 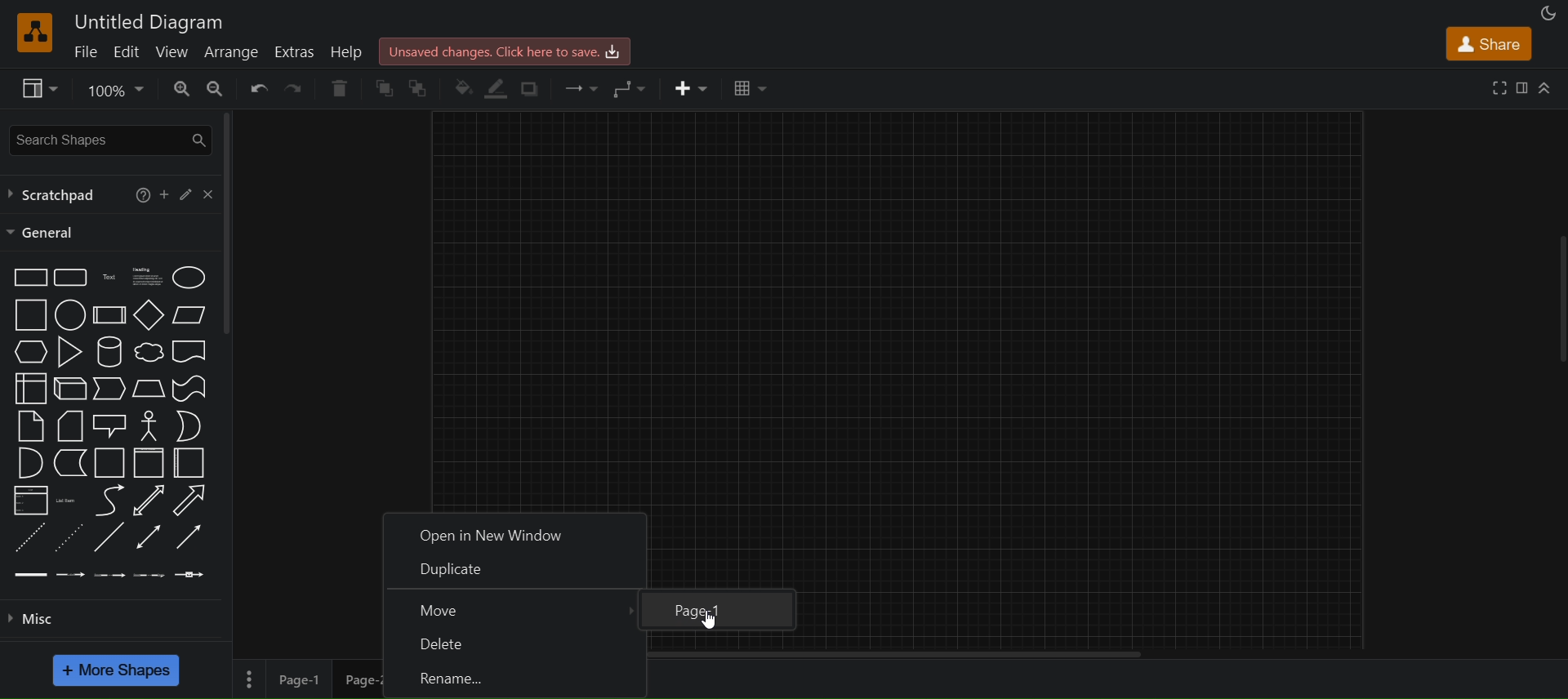 What do you see at coordinates (1526, 85) in the screenshot?
I see `format` at bounding box center [1526, 85].